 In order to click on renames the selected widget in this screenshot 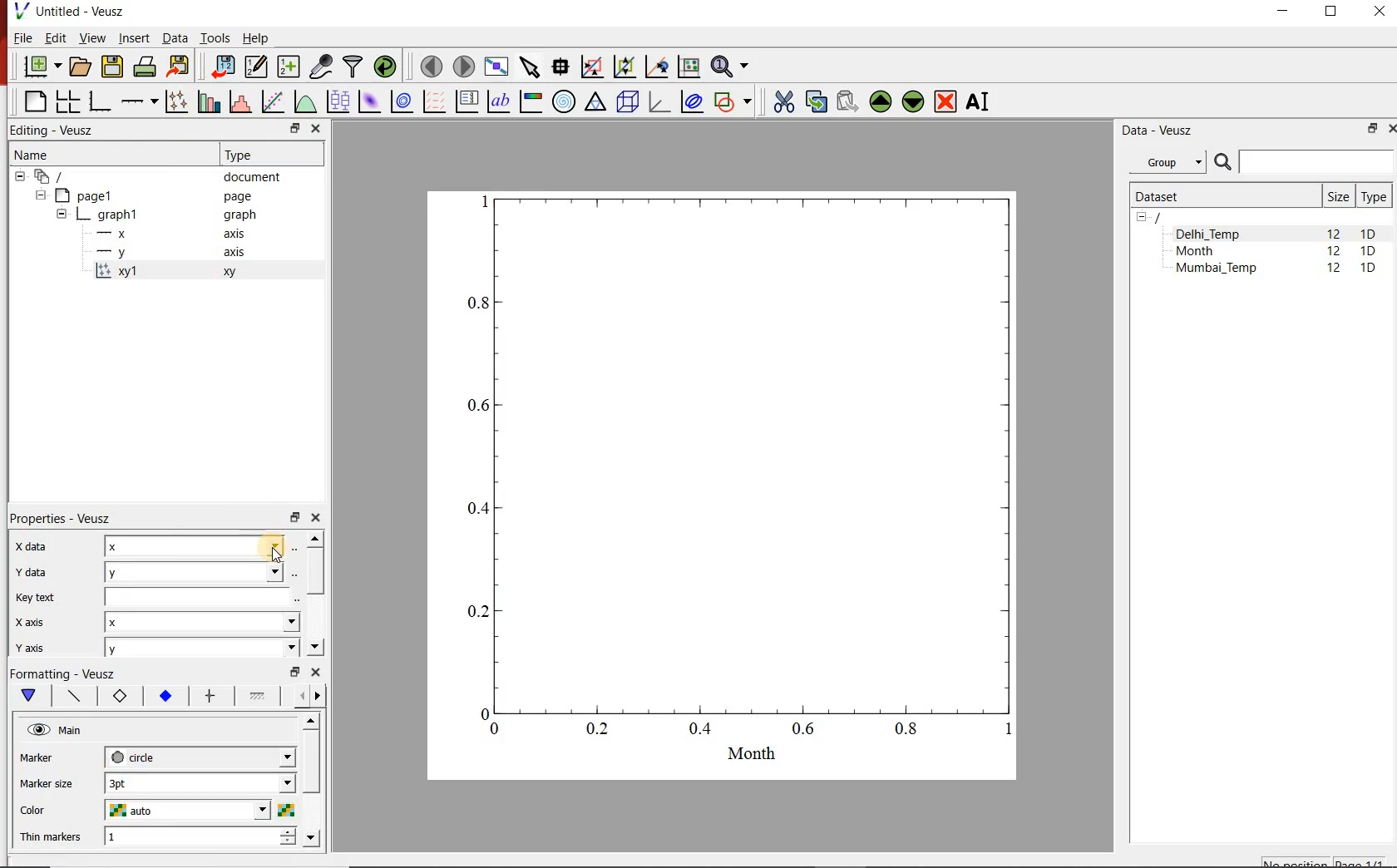, I will do `click(979, 102)`.